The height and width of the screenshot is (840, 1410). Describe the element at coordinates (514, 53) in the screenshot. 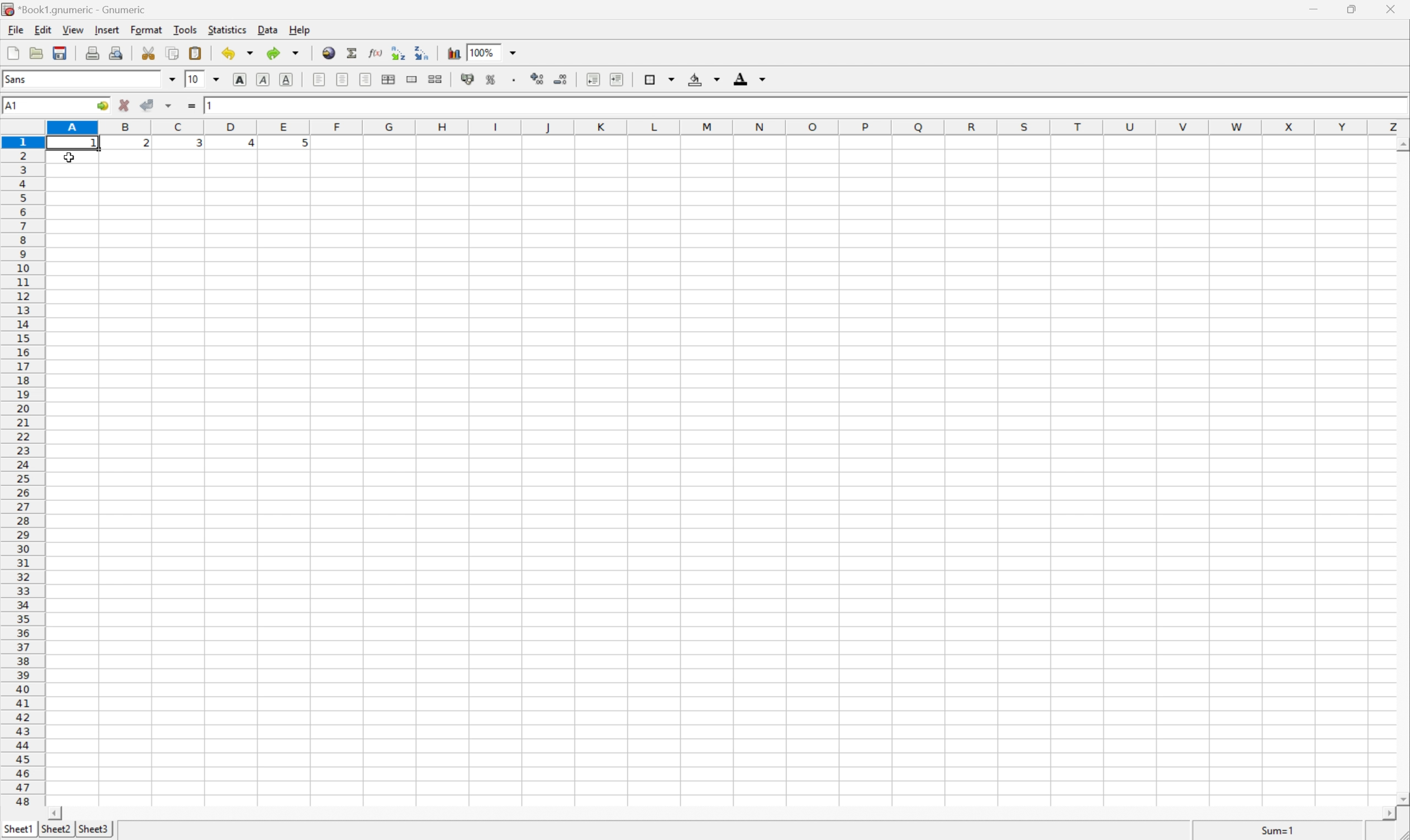

I see `drop down` at that location.